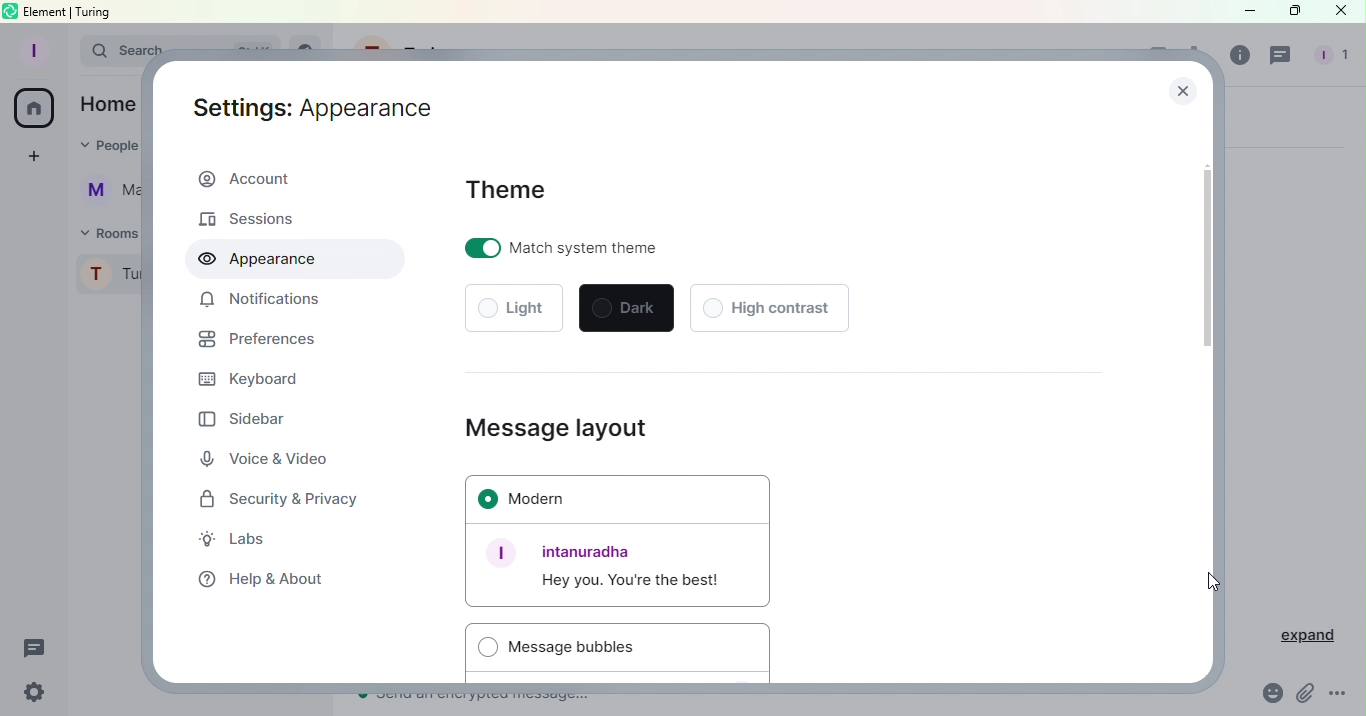  I want to click on Sessions, so click(257, 219).